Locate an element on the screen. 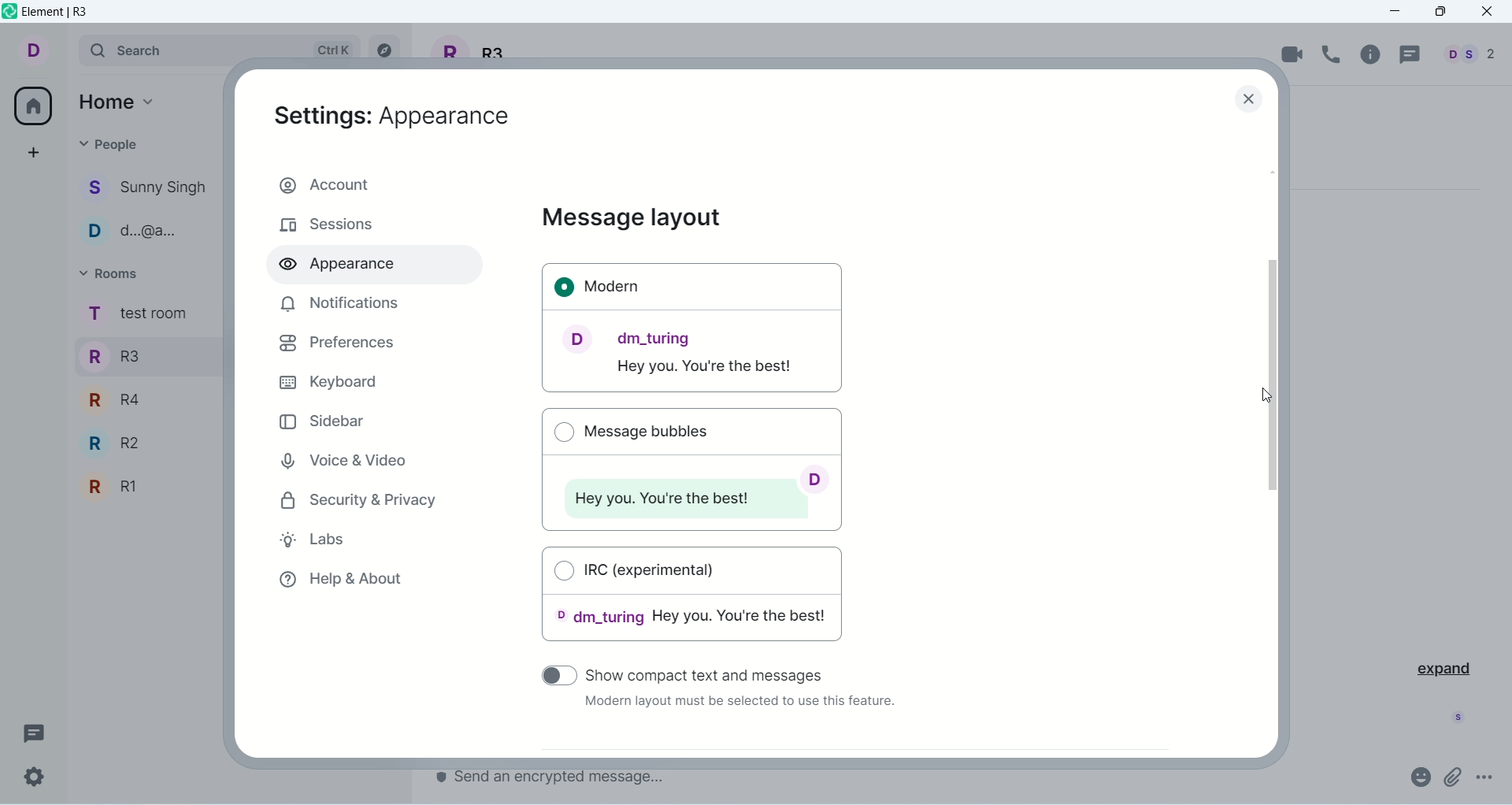 Image resolution: width=1512 pixels, height=805 pixels. account is located at coordinates (374, 183).